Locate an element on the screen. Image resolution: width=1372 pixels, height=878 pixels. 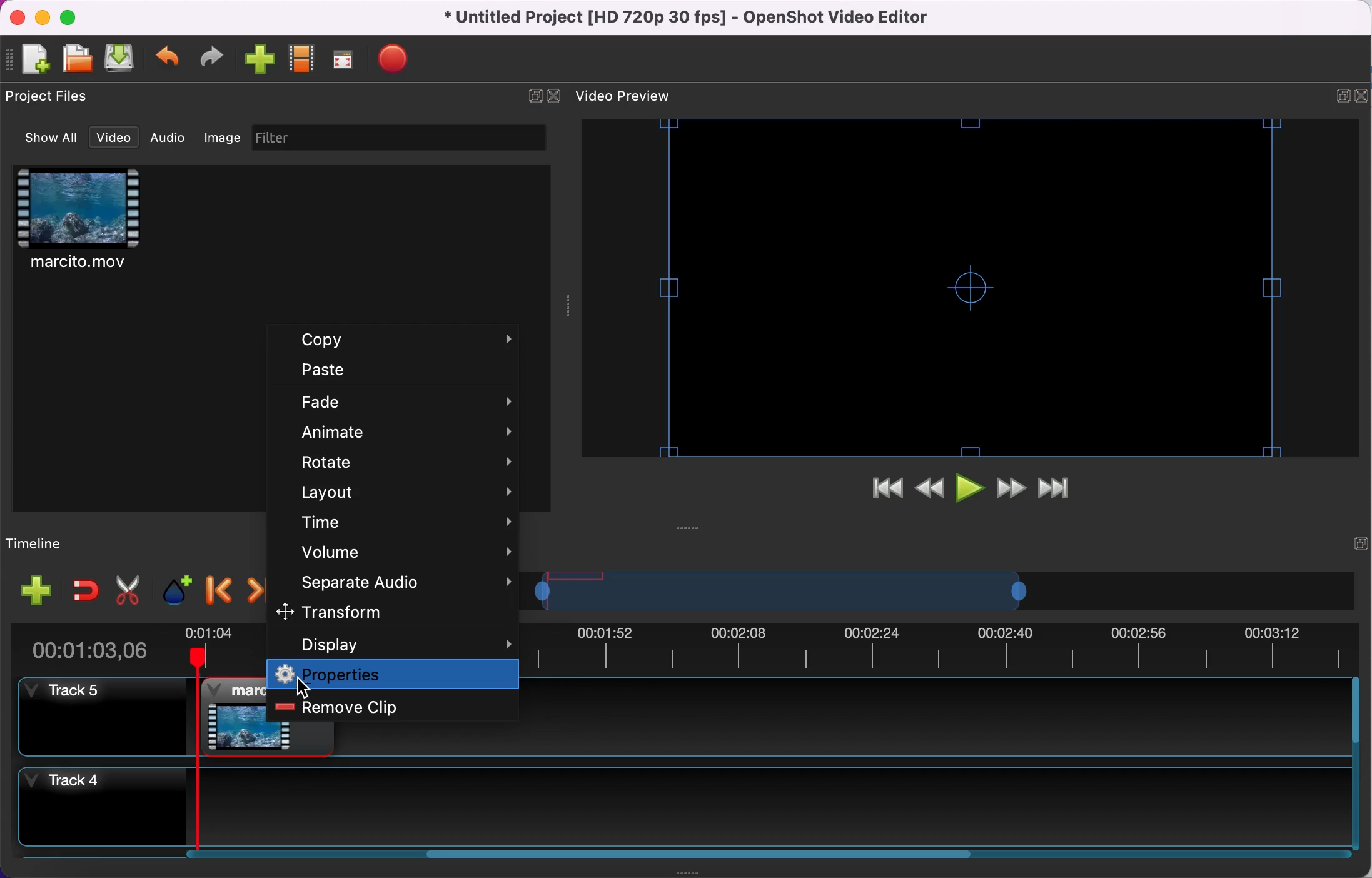
filter is located at coordinates (399, 138).